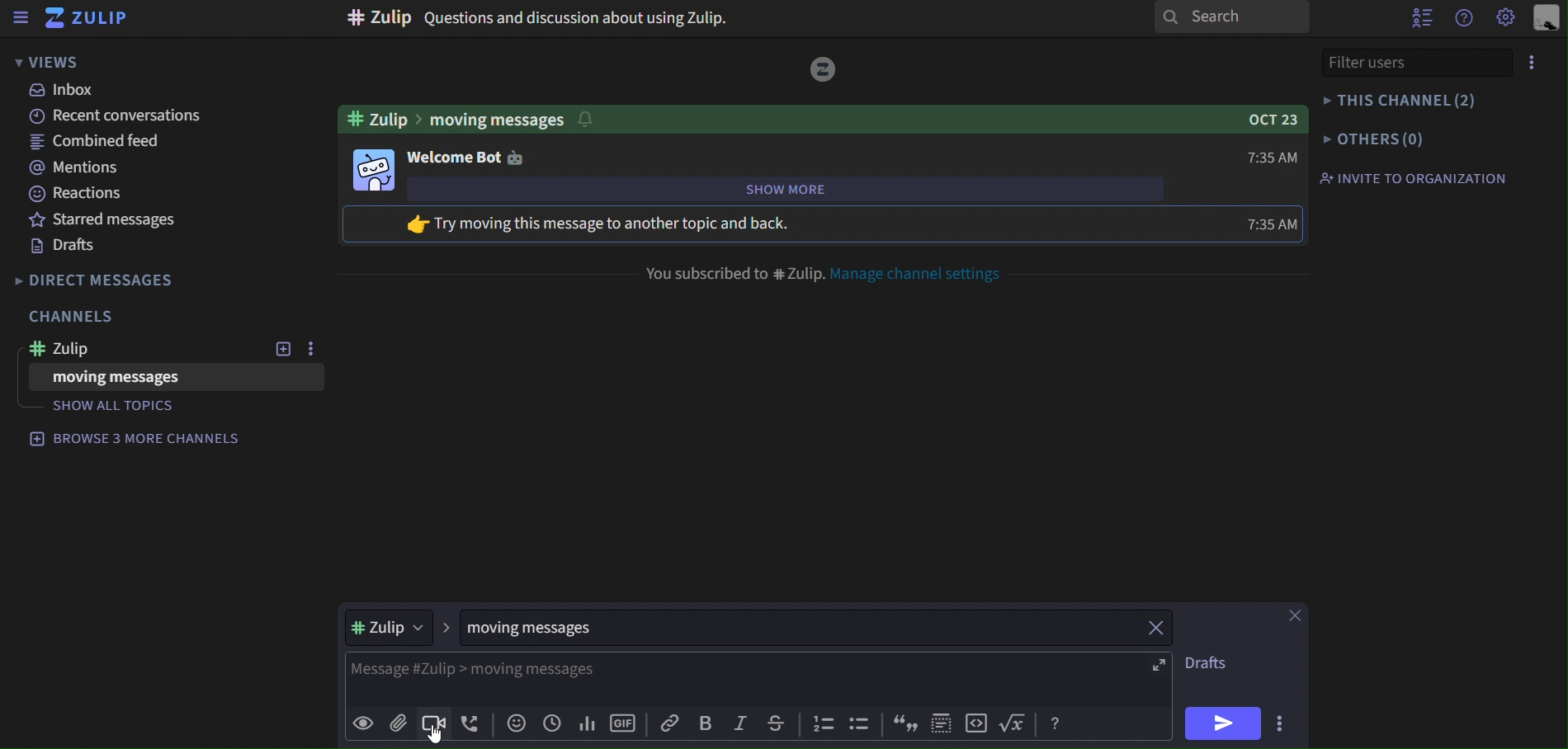 The width and height of the screenshot is (1568, 749). Describe the element at coordinates (78, 195) in the screenshot. I see `reactions` at that location.